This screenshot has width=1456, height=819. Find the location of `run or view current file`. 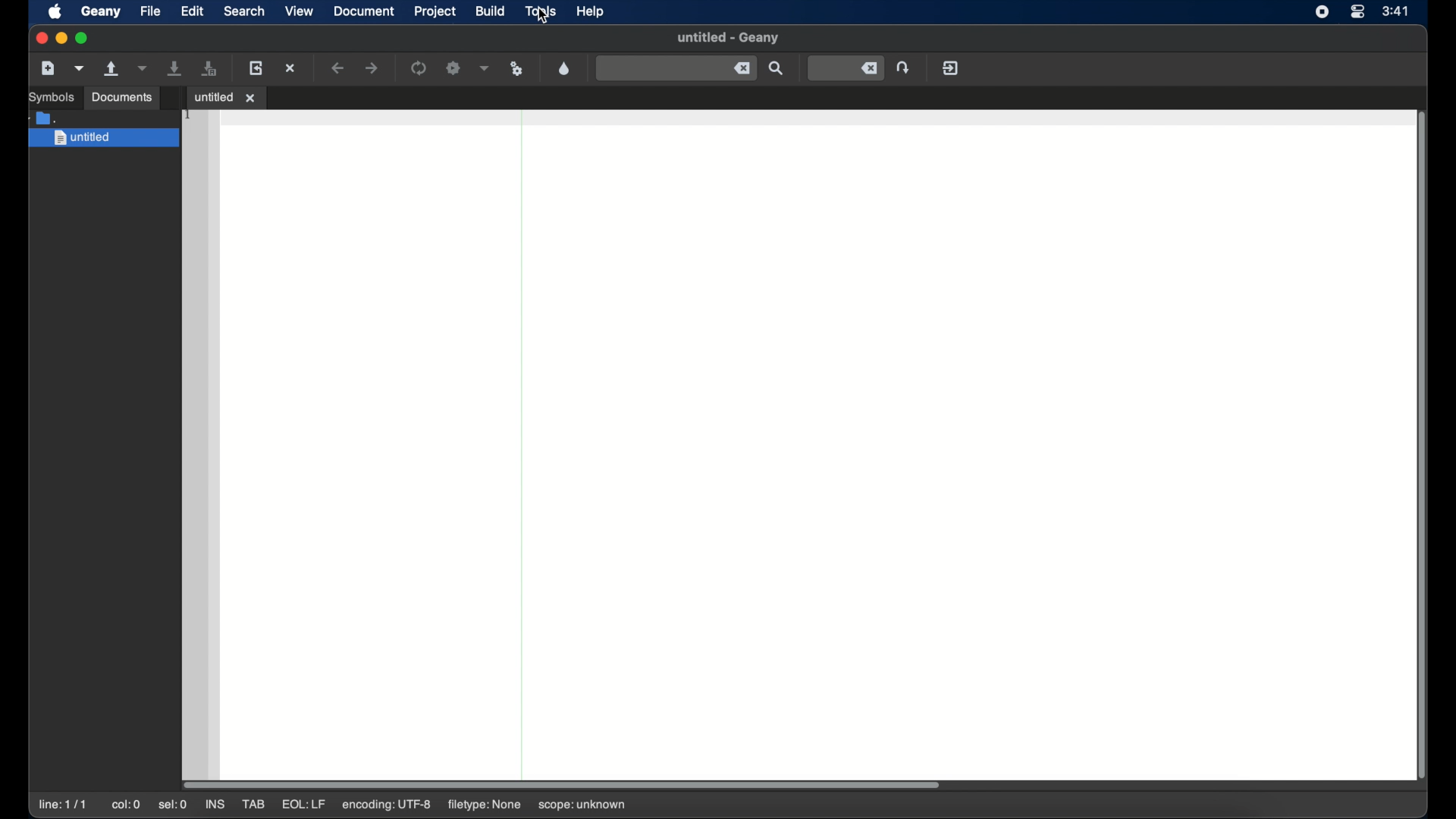

run or view current file is located at coordinates (517, 69).